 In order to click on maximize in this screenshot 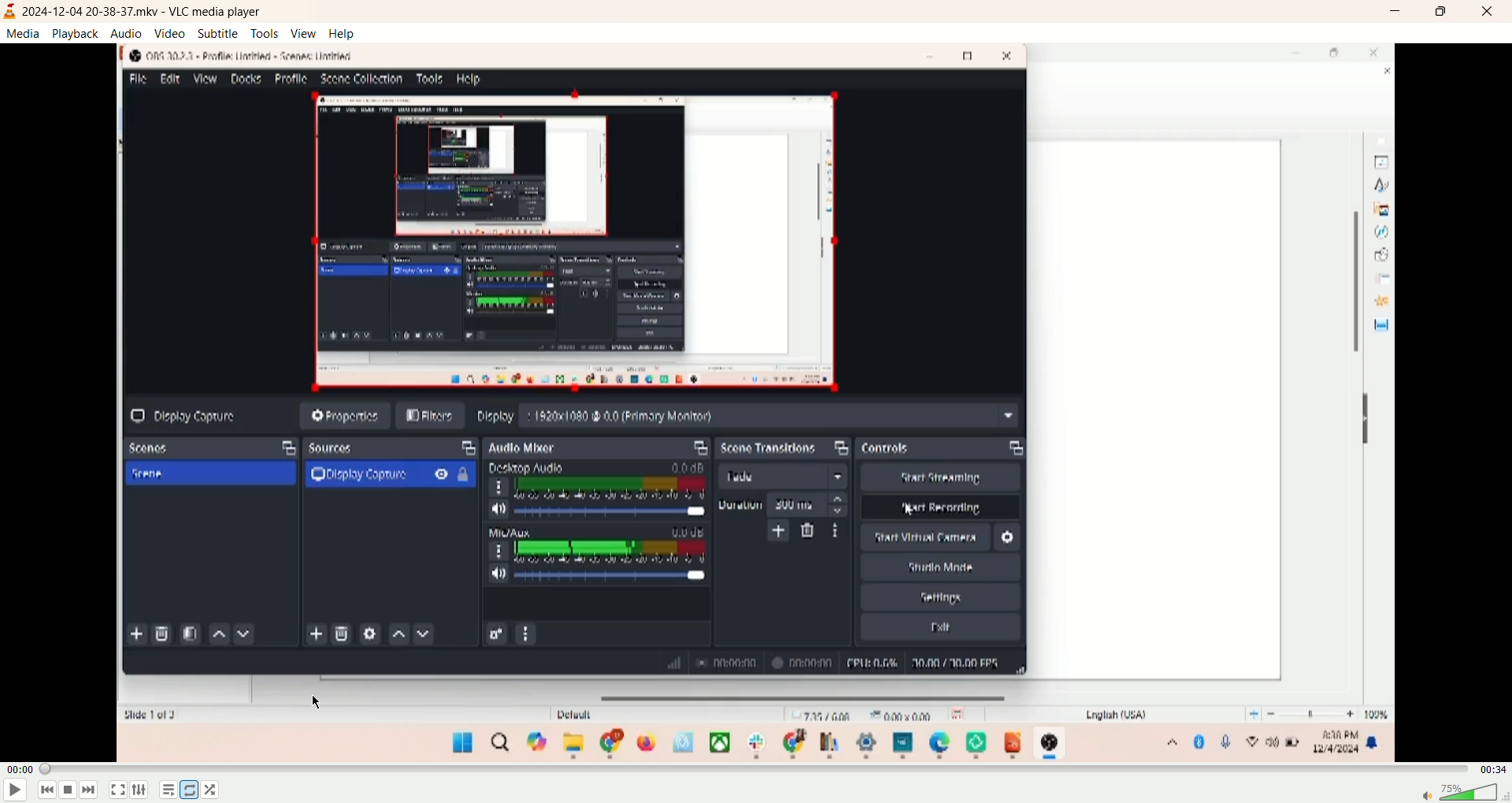, I will do `click(1447, 11)`.